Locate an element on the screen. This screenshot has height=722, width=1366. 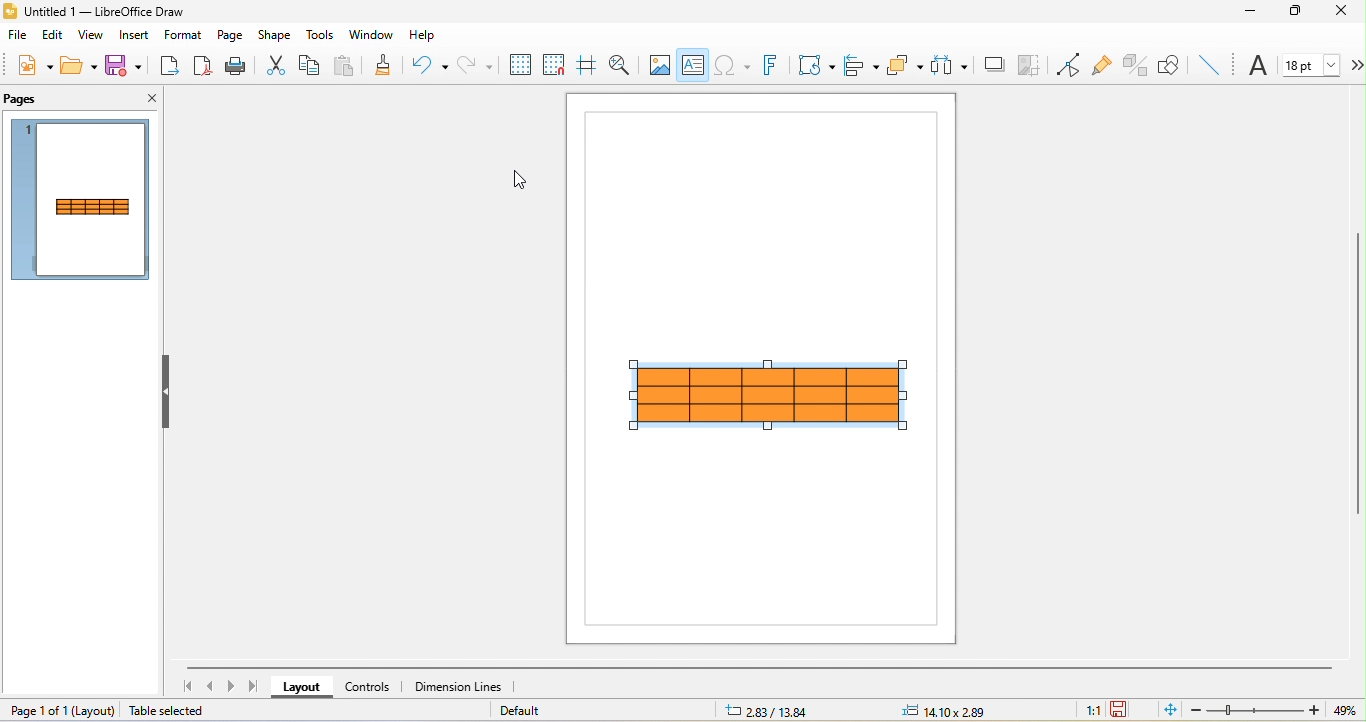
Added a border to the inserted table is located at coordinates (774, 397).